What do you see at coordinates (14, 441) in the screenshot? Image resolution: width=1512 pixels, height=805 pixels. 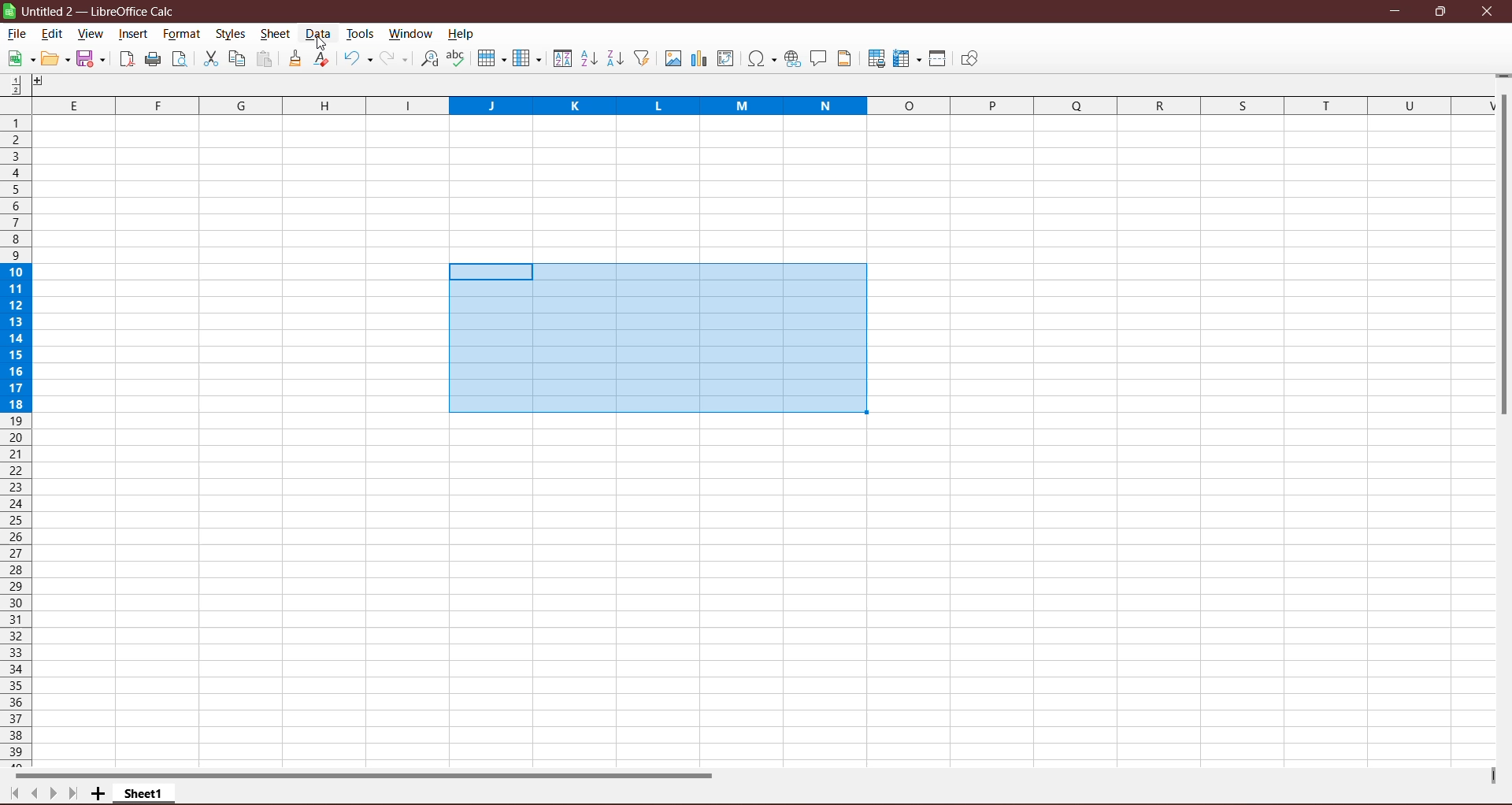 I see `Rows` at bounding box center [14, 441].